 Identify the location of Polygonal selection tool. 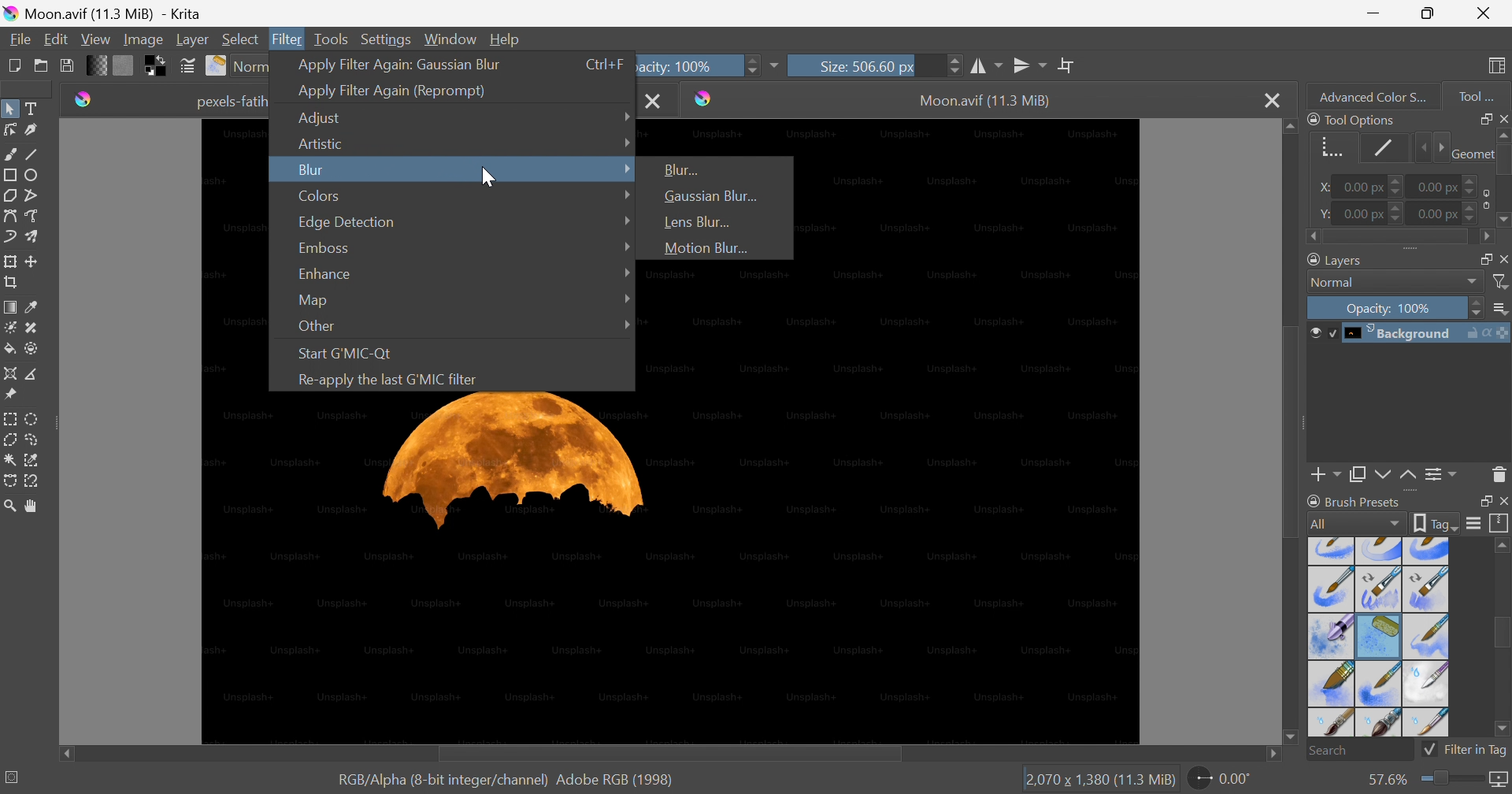
(10, 440).